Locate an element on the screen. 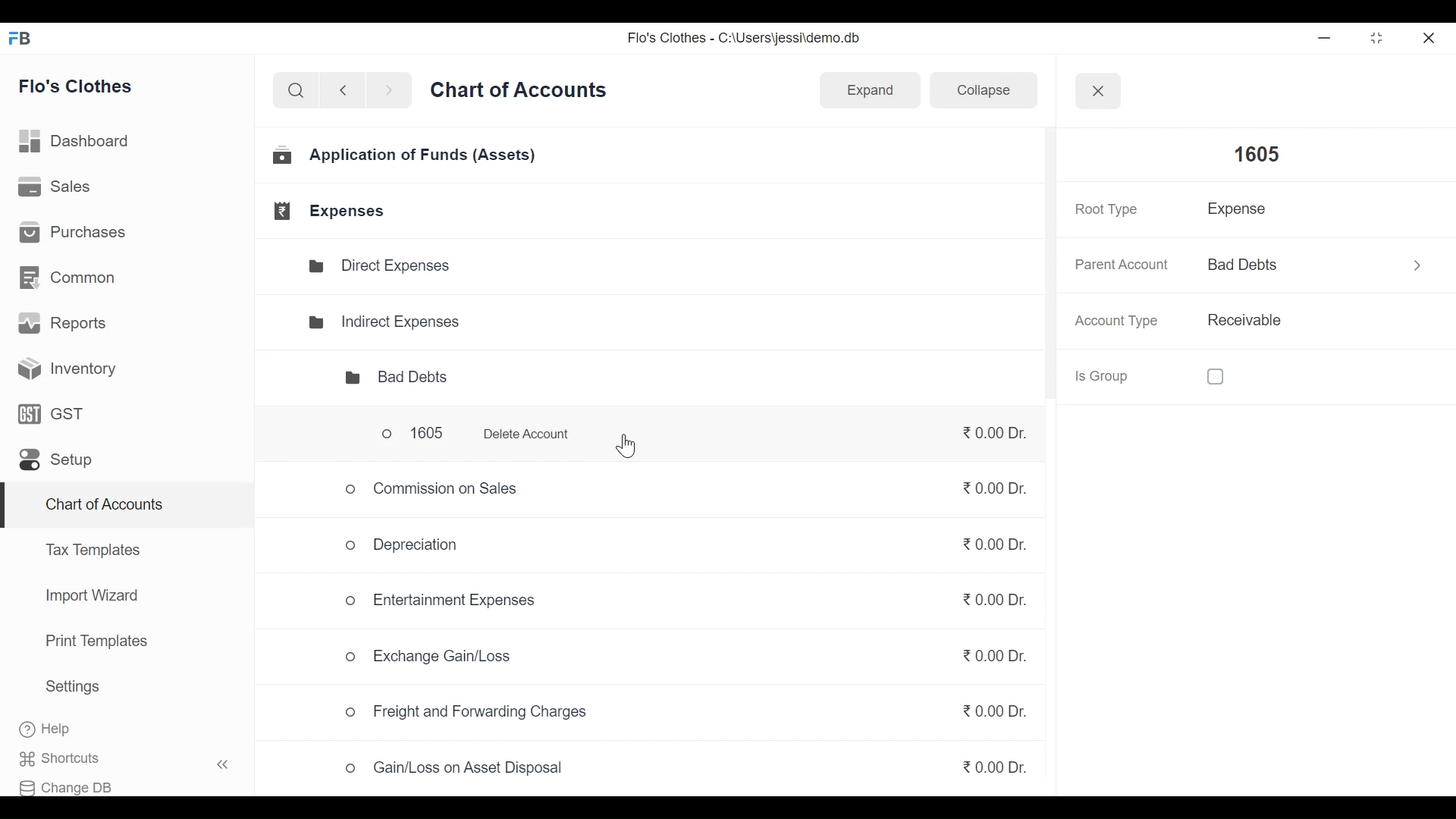 The image size is (1456, 819). Tax Templates is located at coordinates (92, 549).